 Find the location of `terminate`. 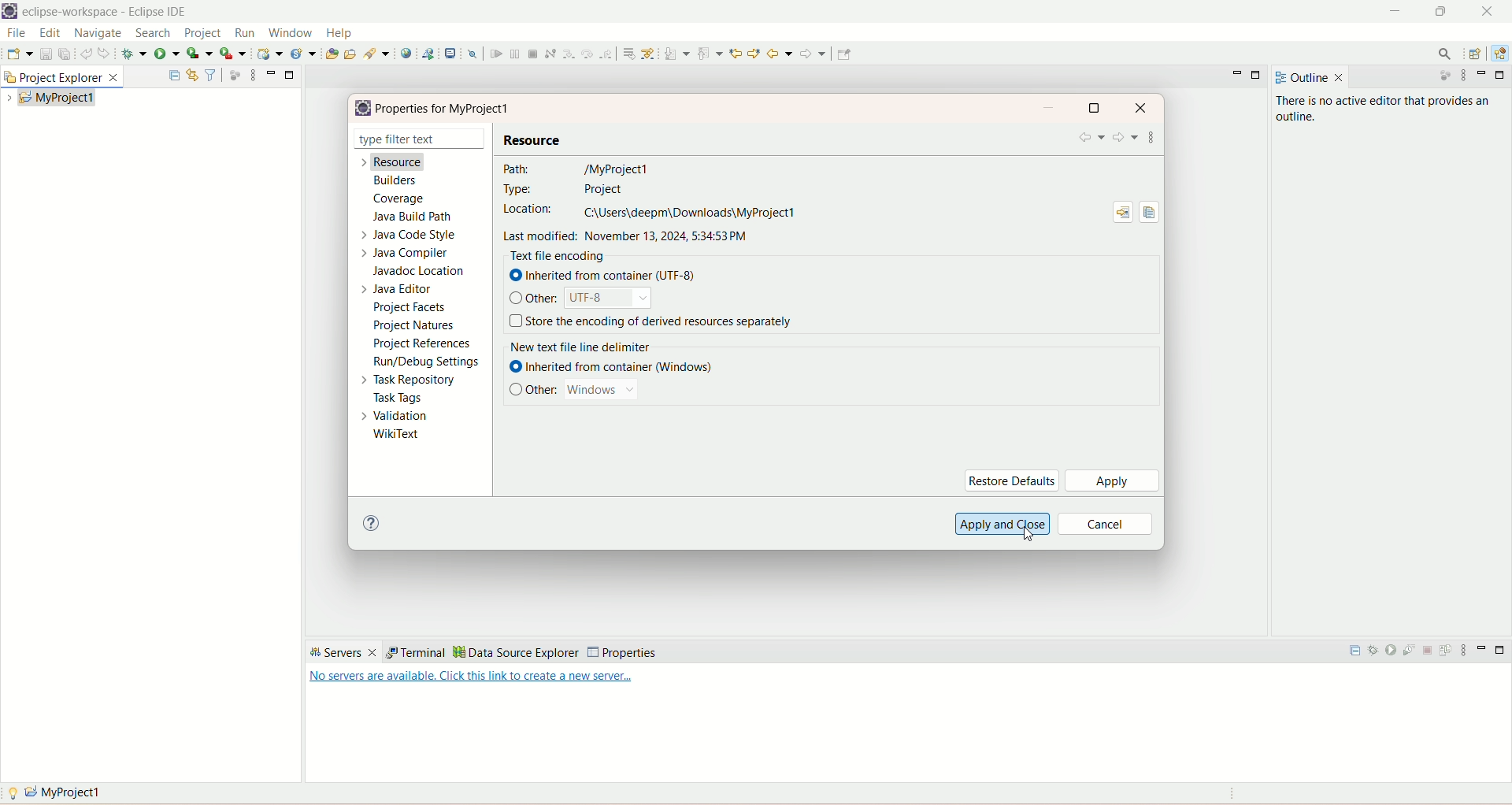

terminate is located at coordinates (534, 54).